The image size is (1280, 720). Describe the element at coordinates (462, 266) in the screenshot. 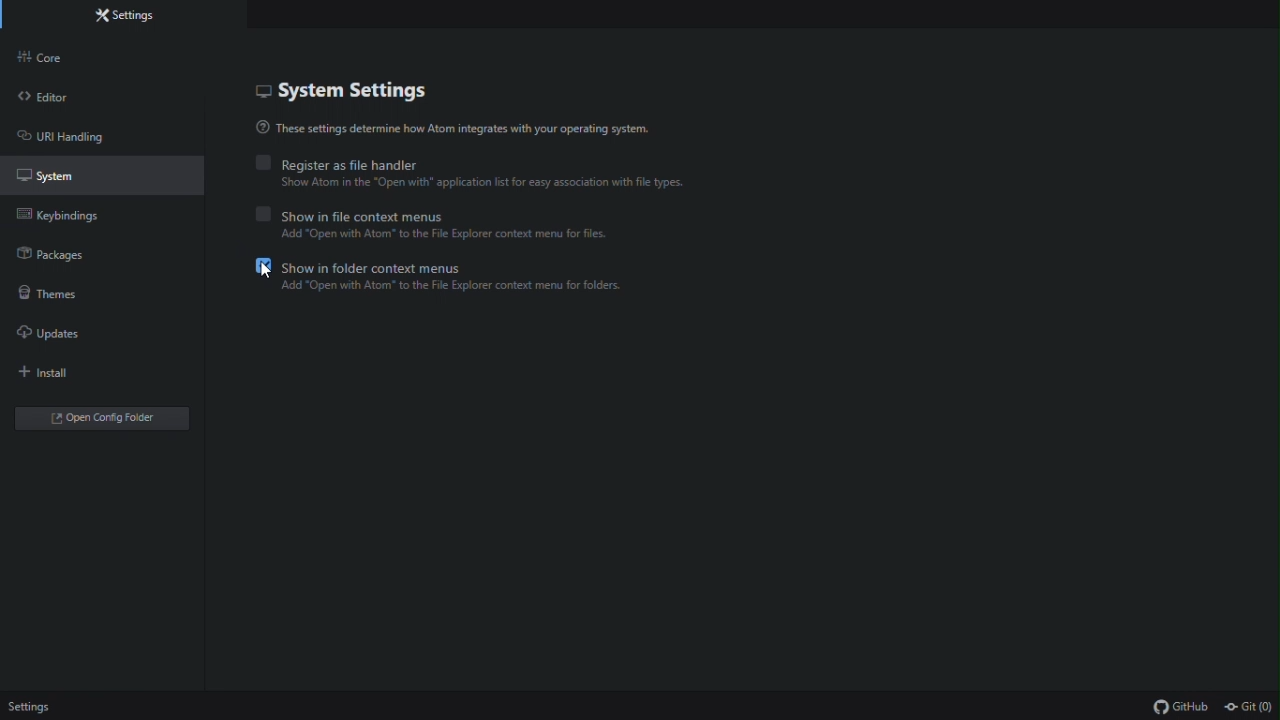

I see `Show in folder context menu` at that location.